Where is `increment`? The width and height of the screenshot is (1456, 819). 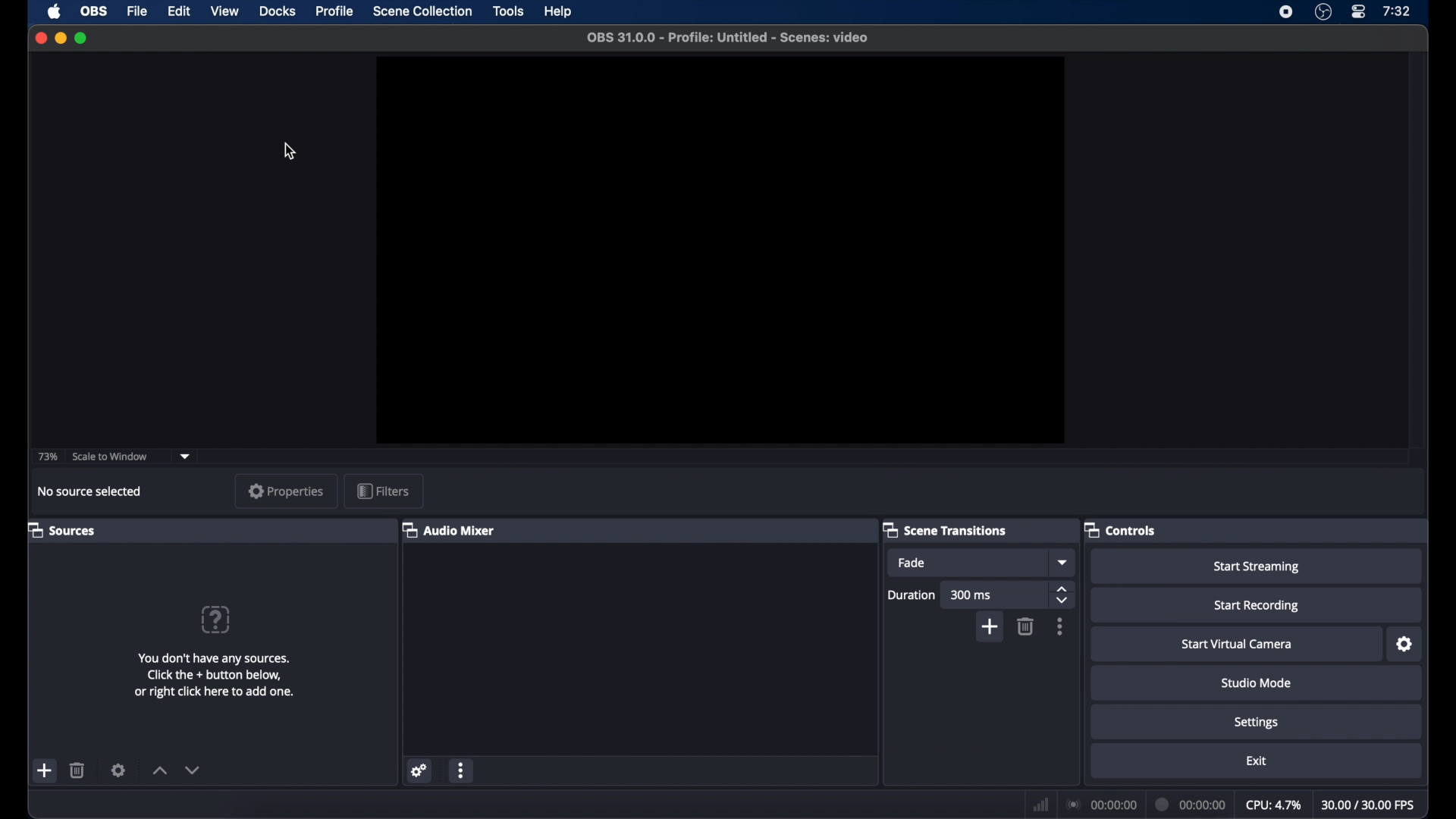 increment is located at coordinates (159, 771).